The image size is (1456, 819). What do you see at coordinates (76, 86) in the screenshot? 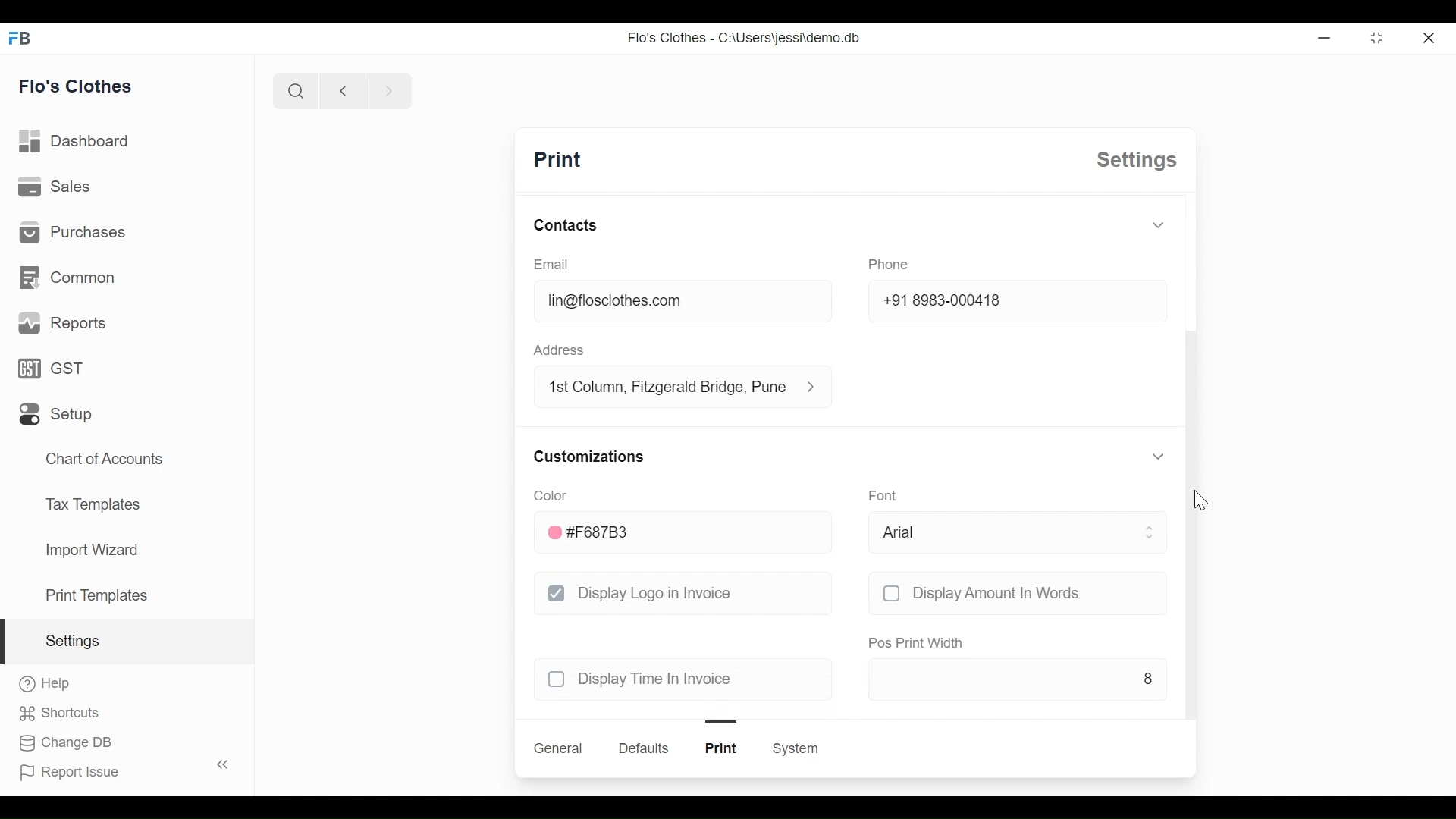
I see `flo's clothes` at bounding box center [76, 86].